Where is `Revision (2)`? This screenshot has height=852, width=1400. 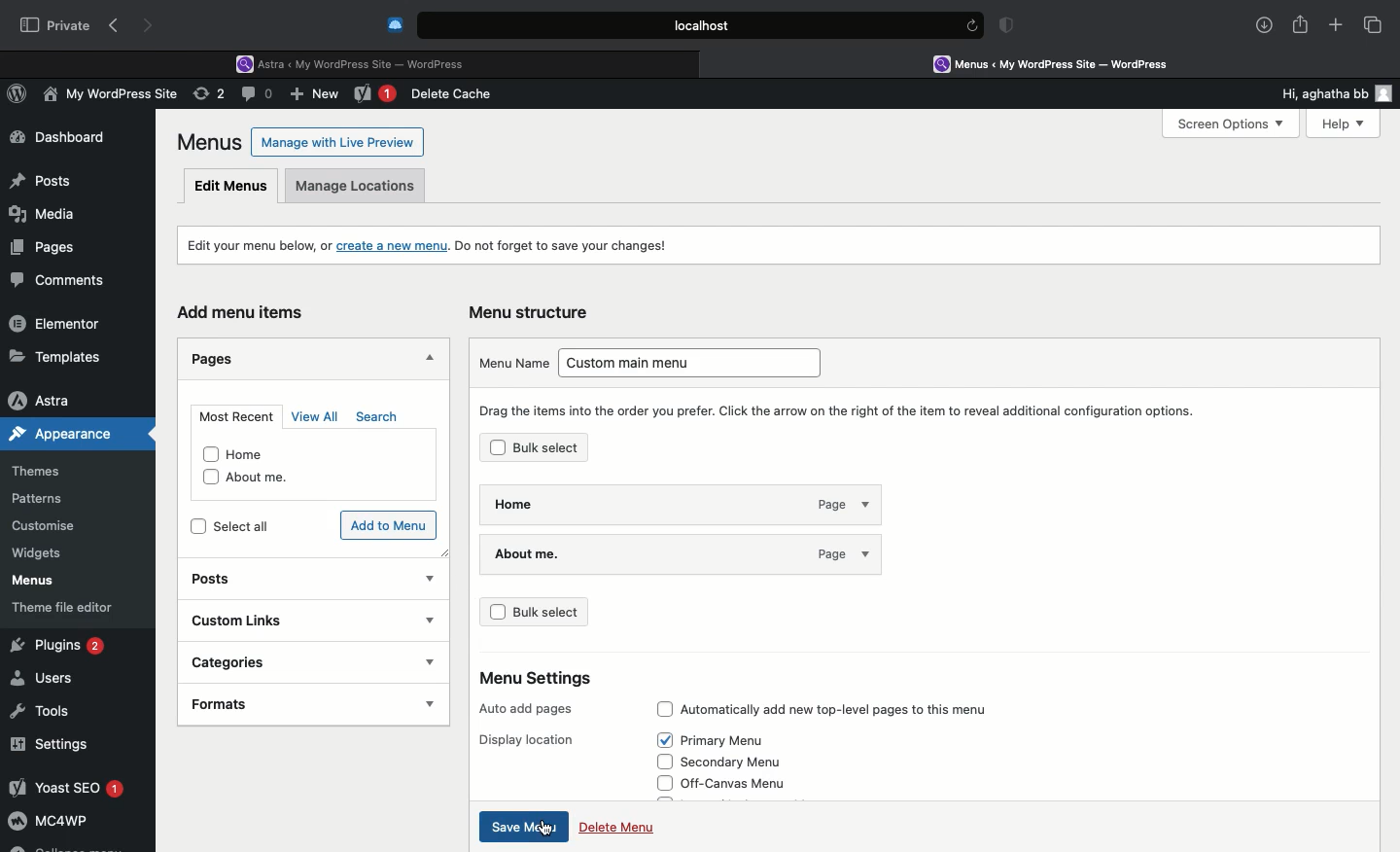
Revision (2) is located at coordinates (206, 96).